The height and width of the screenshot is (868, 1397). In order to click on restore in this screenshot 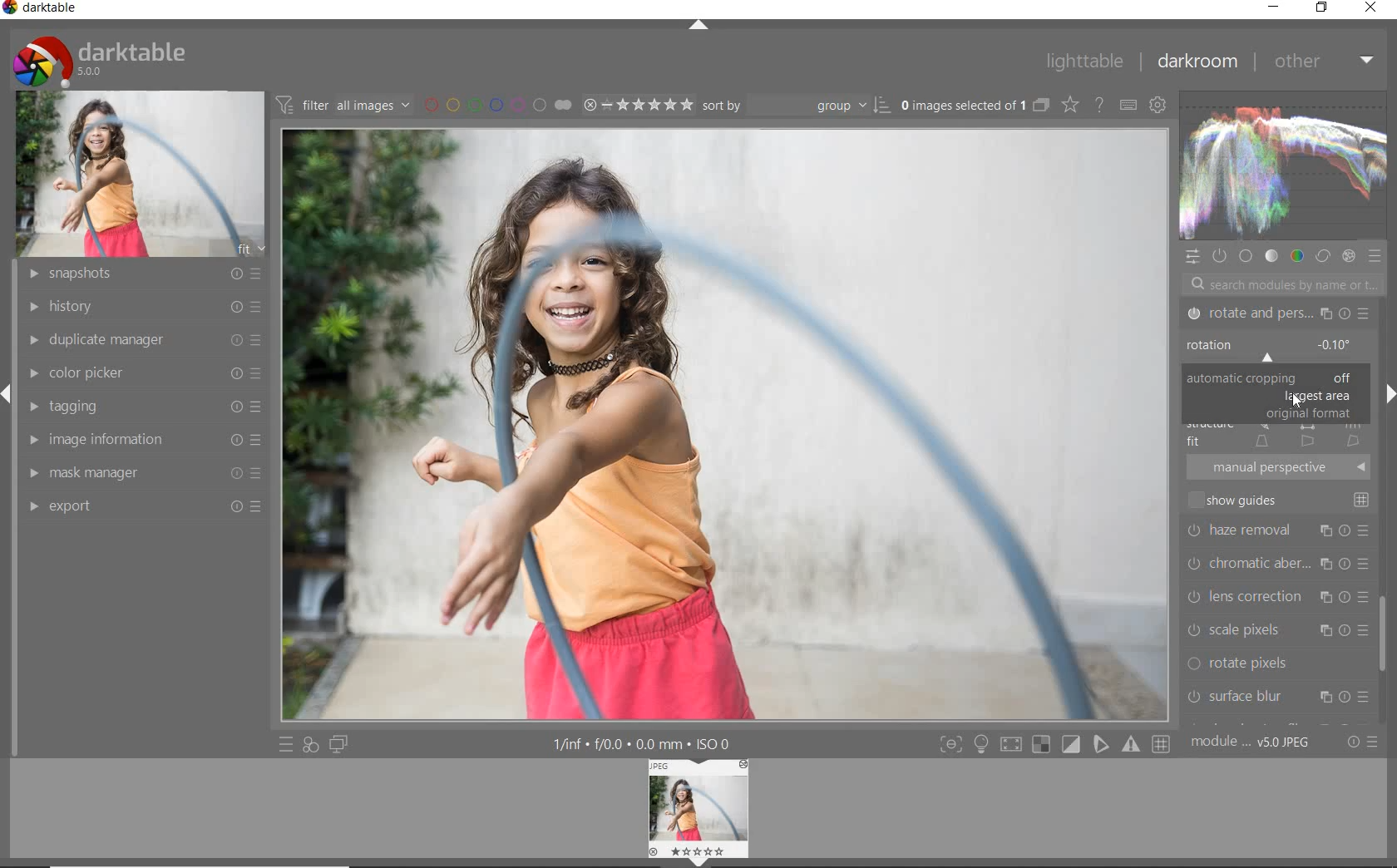, I will do `click(1324, 7)`.